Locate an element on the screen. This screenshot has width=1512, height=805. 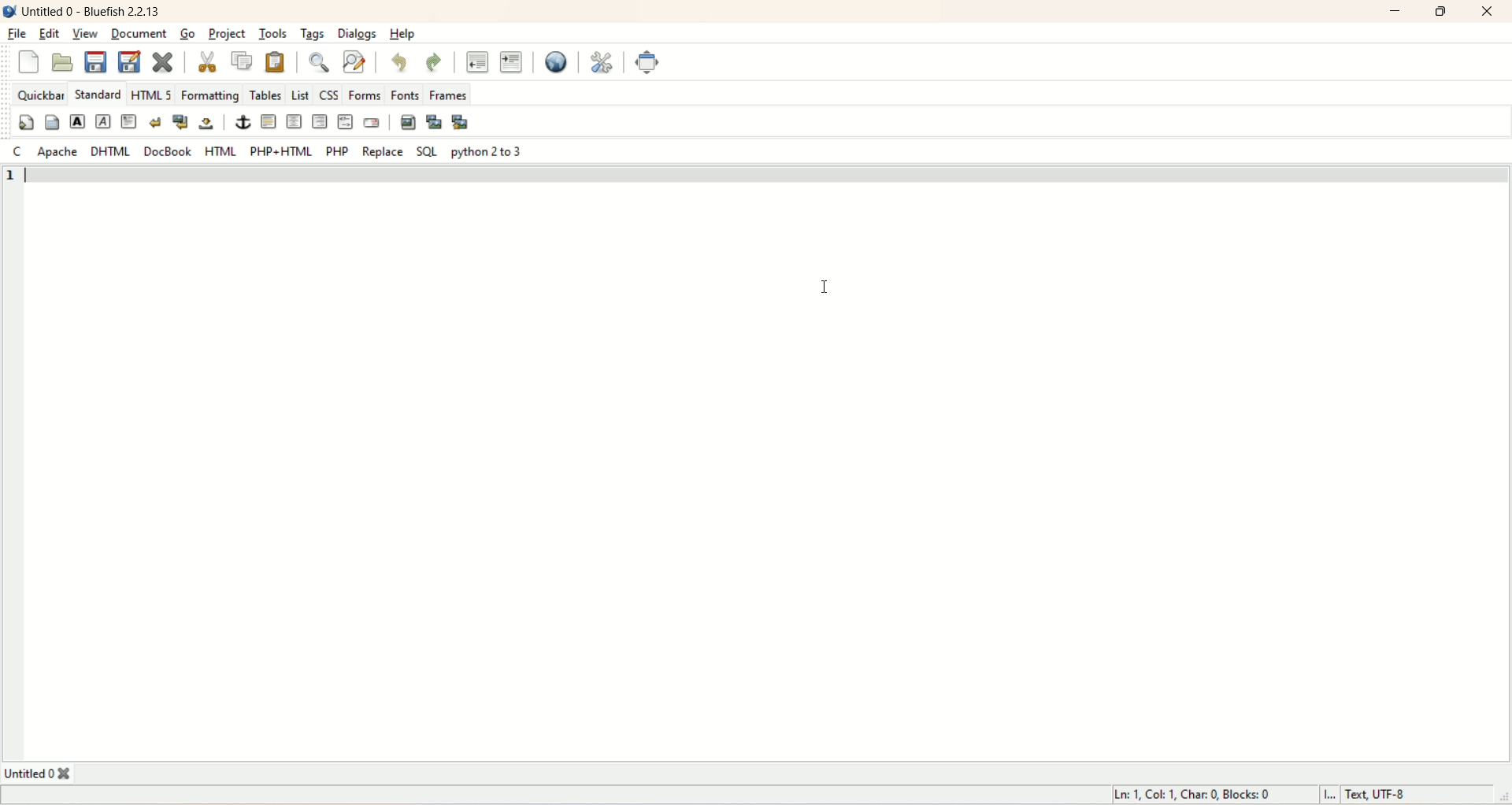
python 2 to 3 is located at coordinates (490, 151).